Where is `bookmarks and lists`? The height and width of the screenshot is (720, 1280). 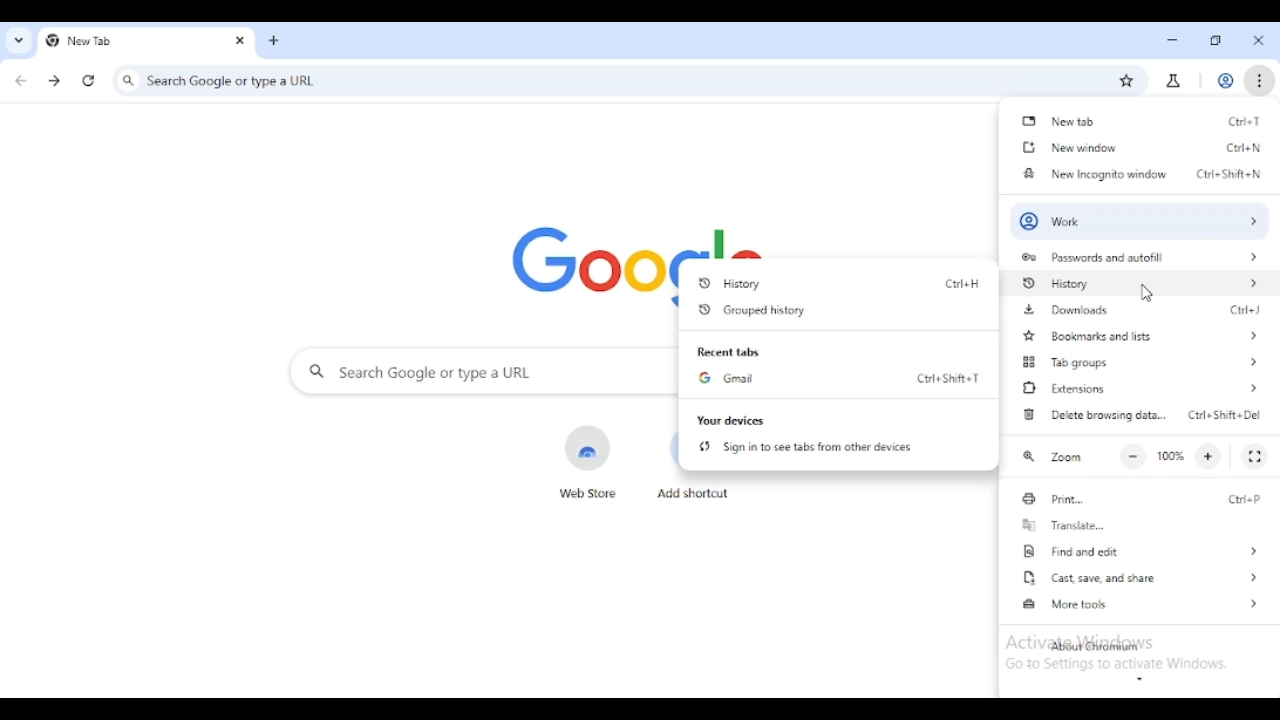
bookmarks and lists is located at coordinates (1139, 335).